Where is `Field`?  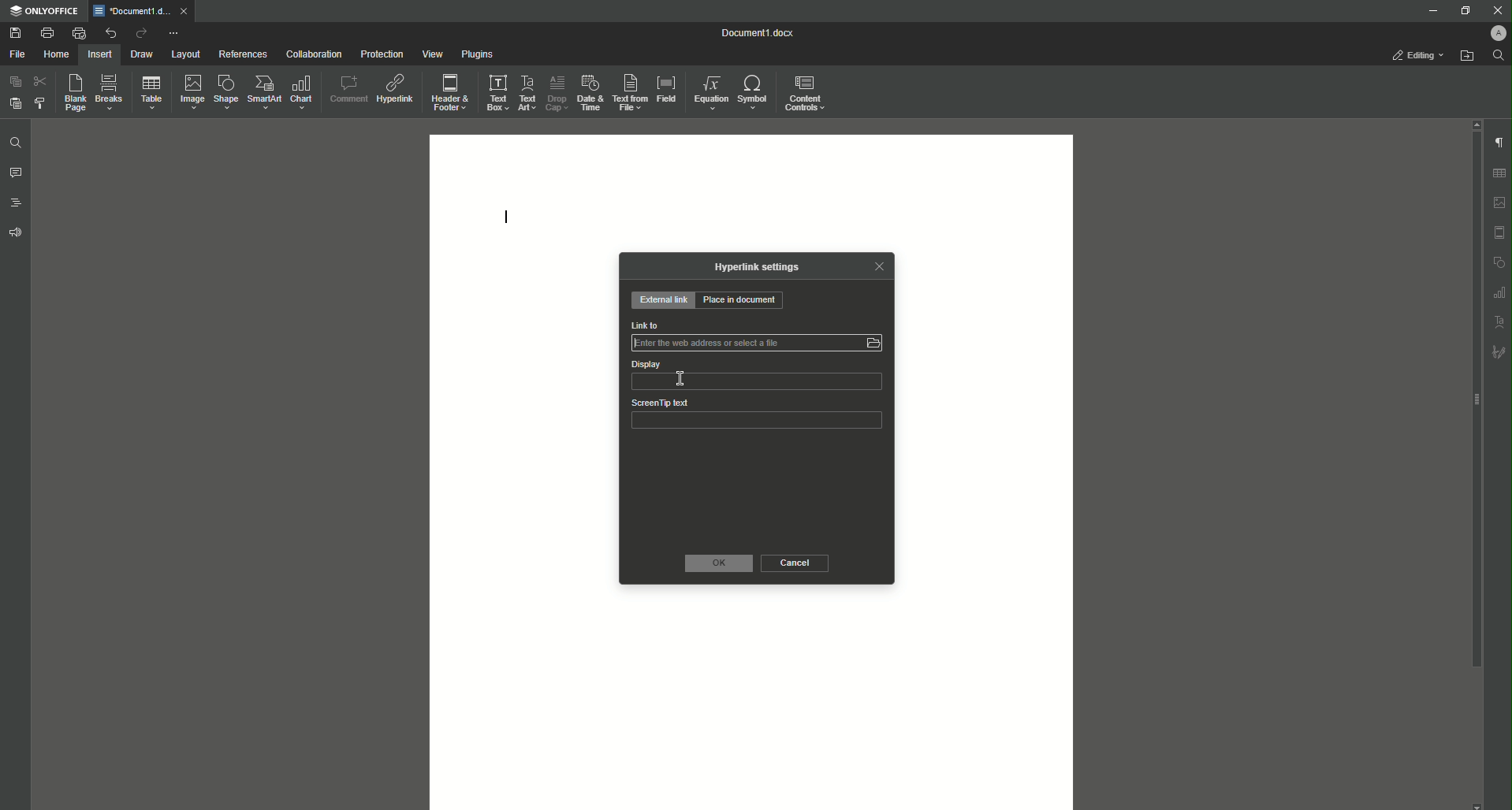
Field is located at coordinates (667, 89).